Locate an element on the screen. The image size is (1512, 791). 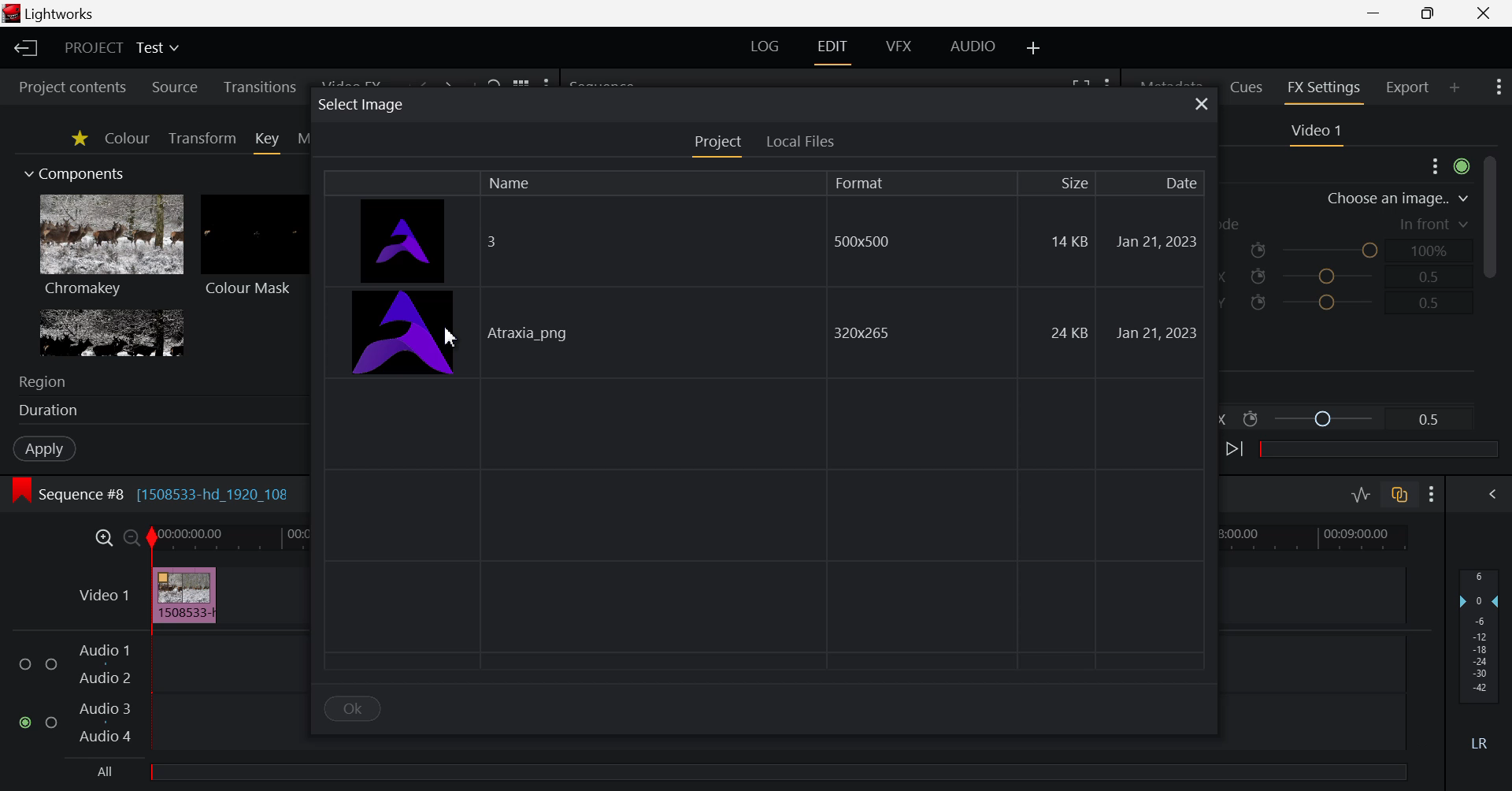
checkbox is located at coordinates (25, 662).